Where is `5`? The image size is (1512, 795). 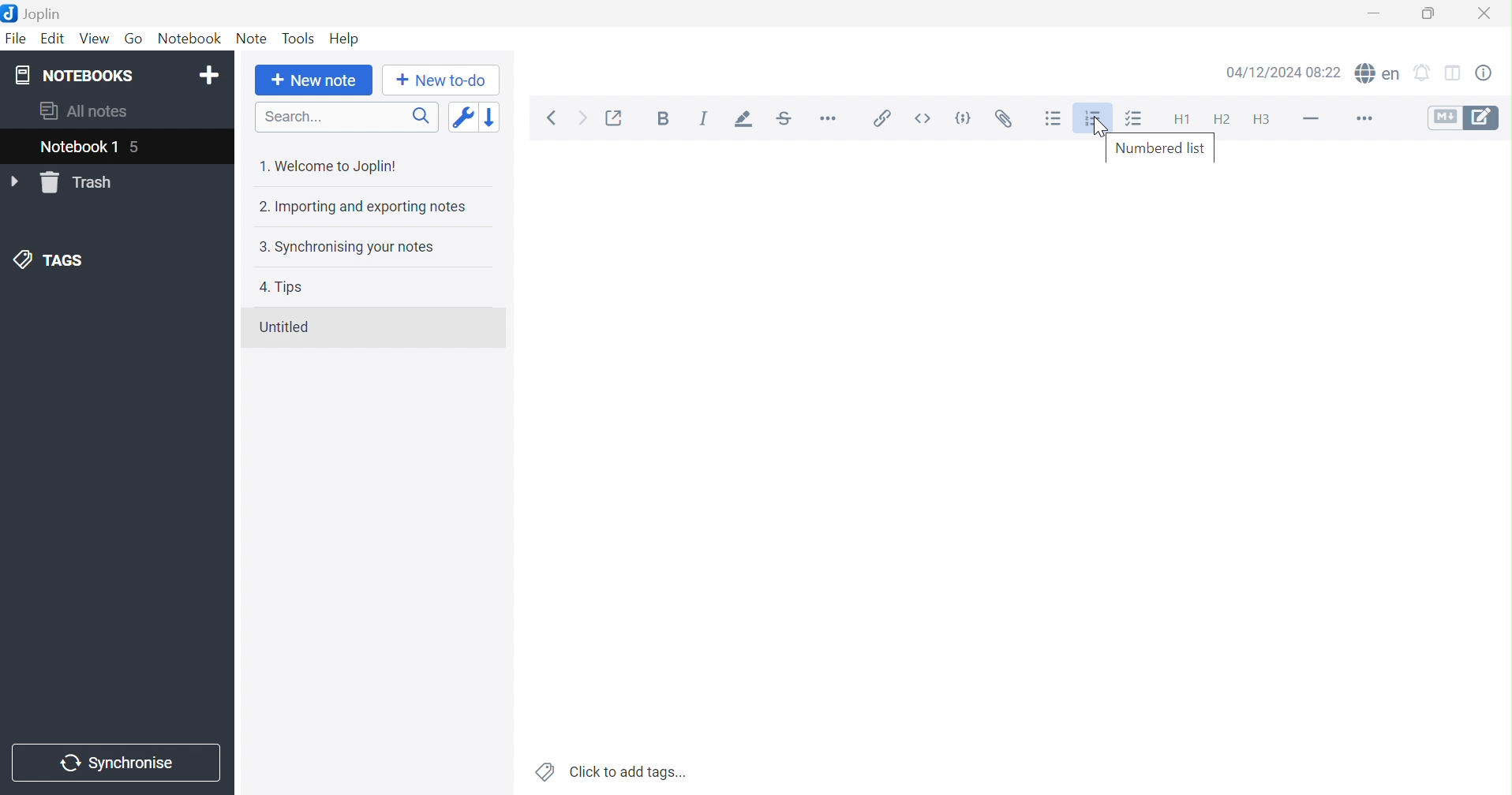 5 is located at coordinates (143, 148).